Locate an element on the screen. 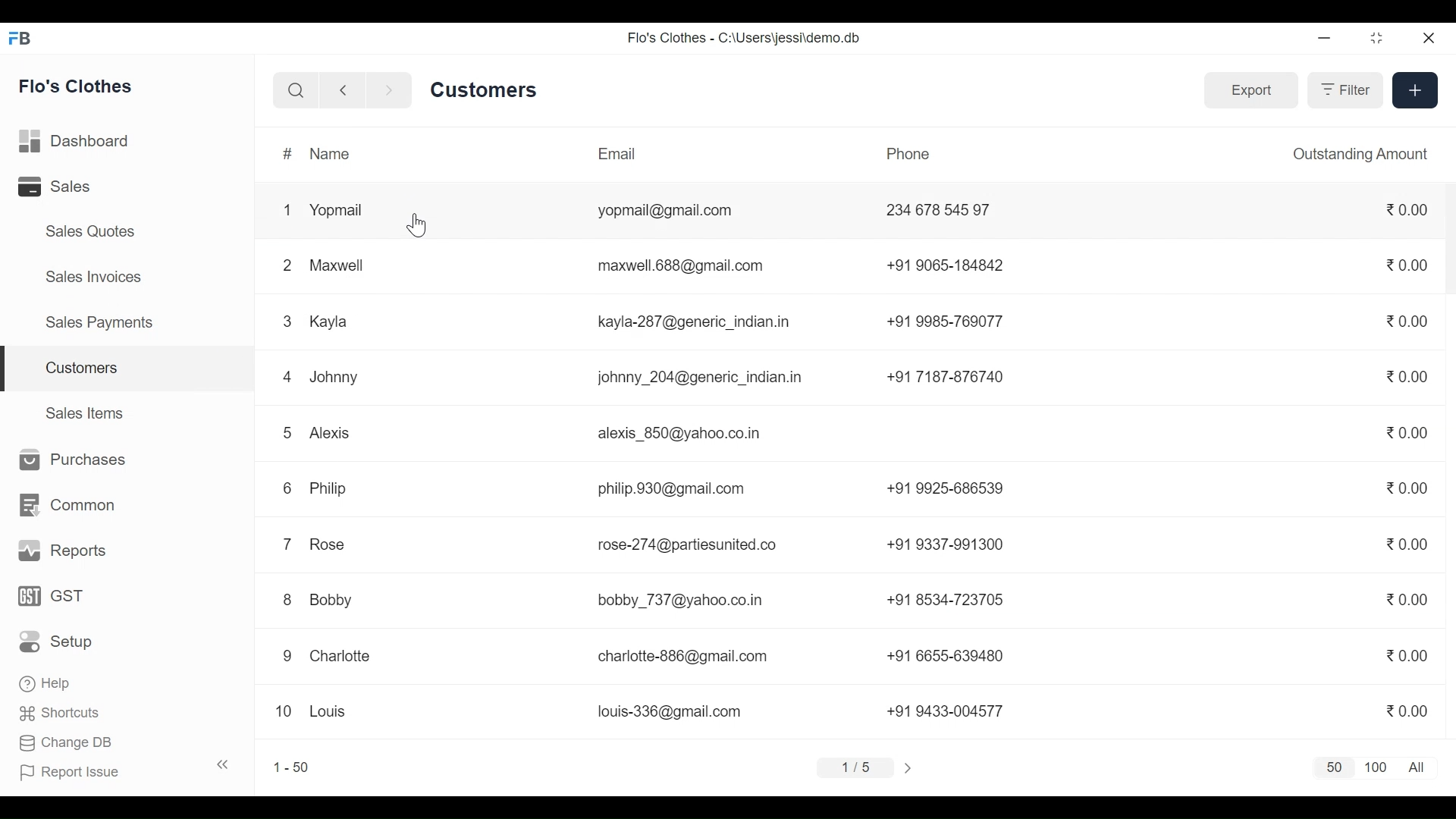 Image resolution: width=1456 pixels, height=819 pixels. Restore is located at coordinates (1372, 38).